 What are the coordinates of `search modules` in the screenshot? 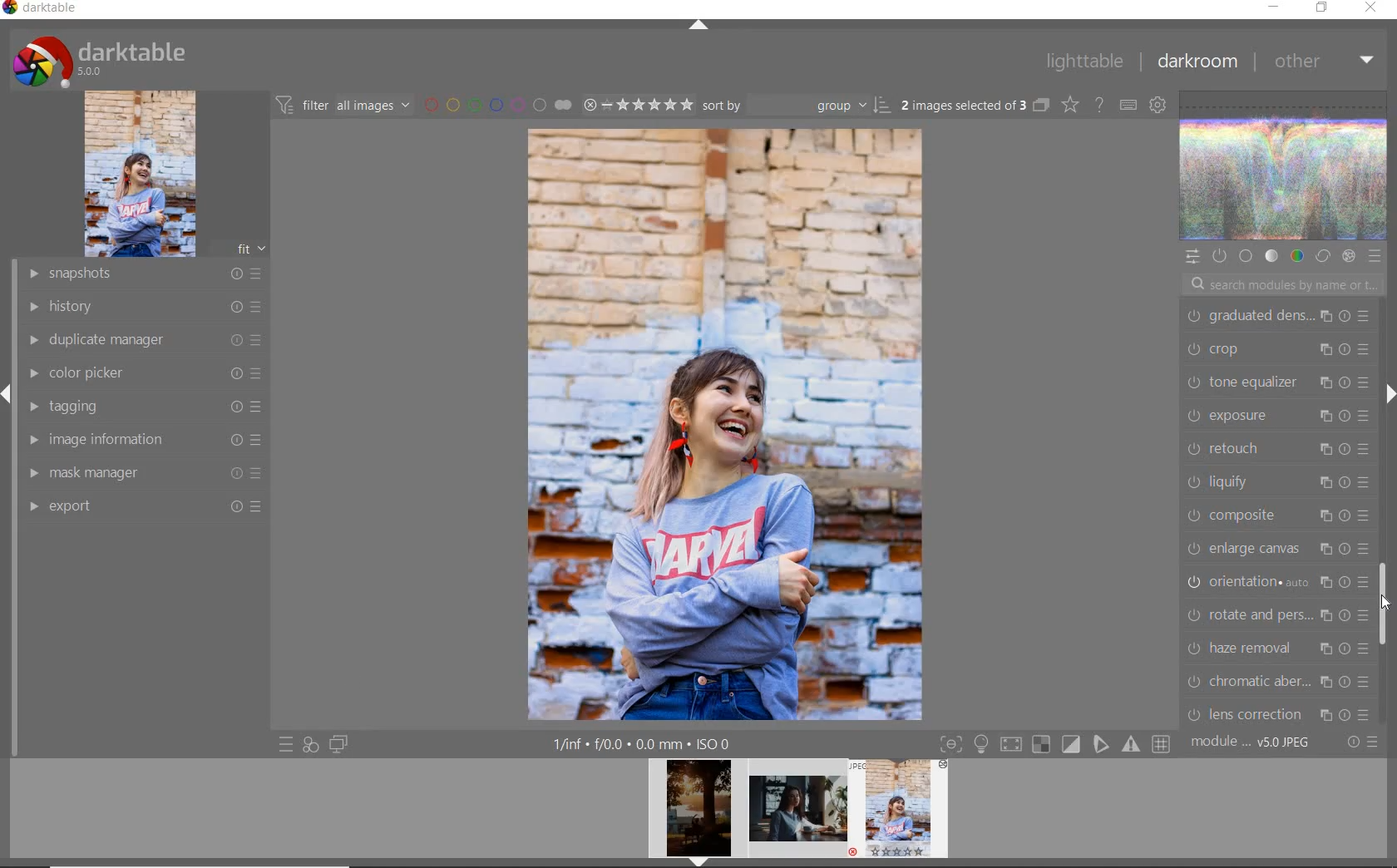 It's located at (1279, 287).